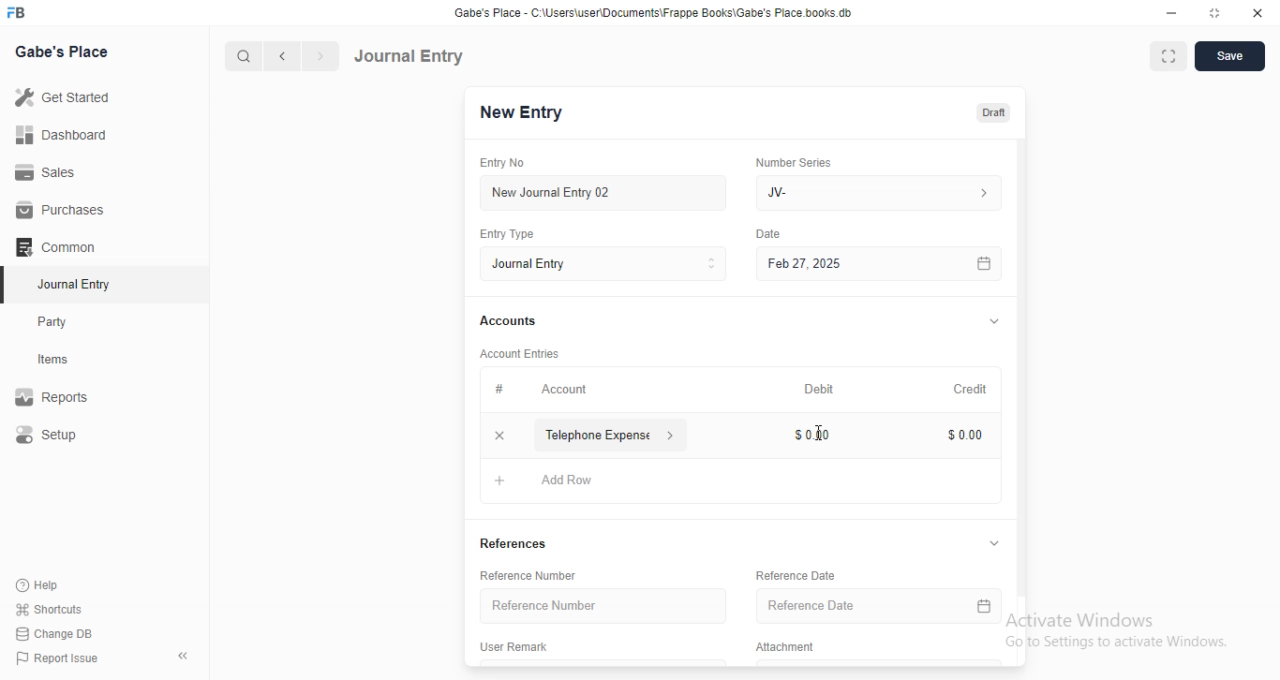 The width and height of the screenshot is (1280, 680). I want to click on Add, so click(499, 435).